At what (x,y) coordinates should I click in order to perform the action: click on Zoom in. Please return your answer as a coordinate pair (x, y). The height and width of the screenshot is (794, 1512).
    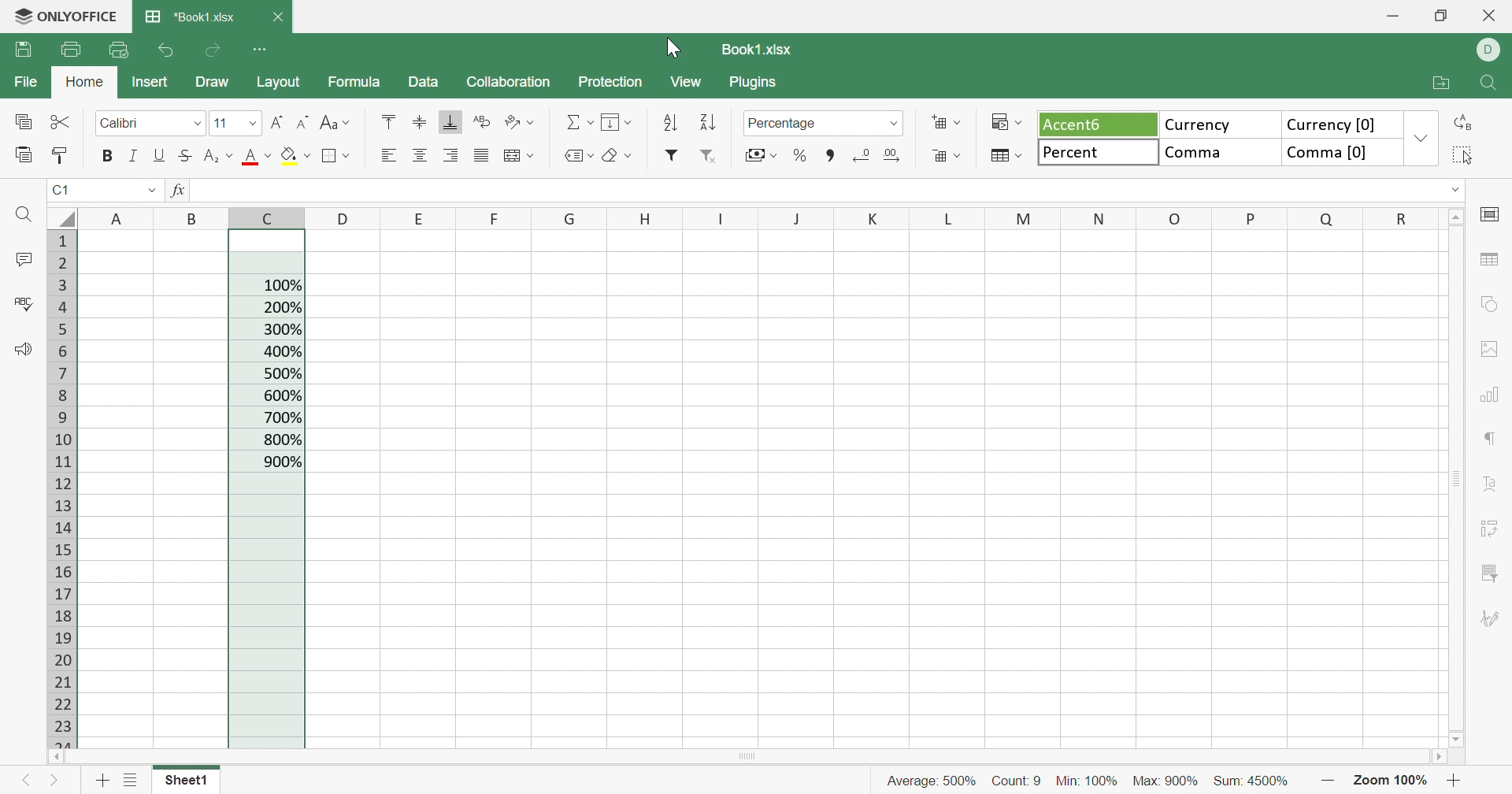
    Looking at the image, I should click on (1329, 779).